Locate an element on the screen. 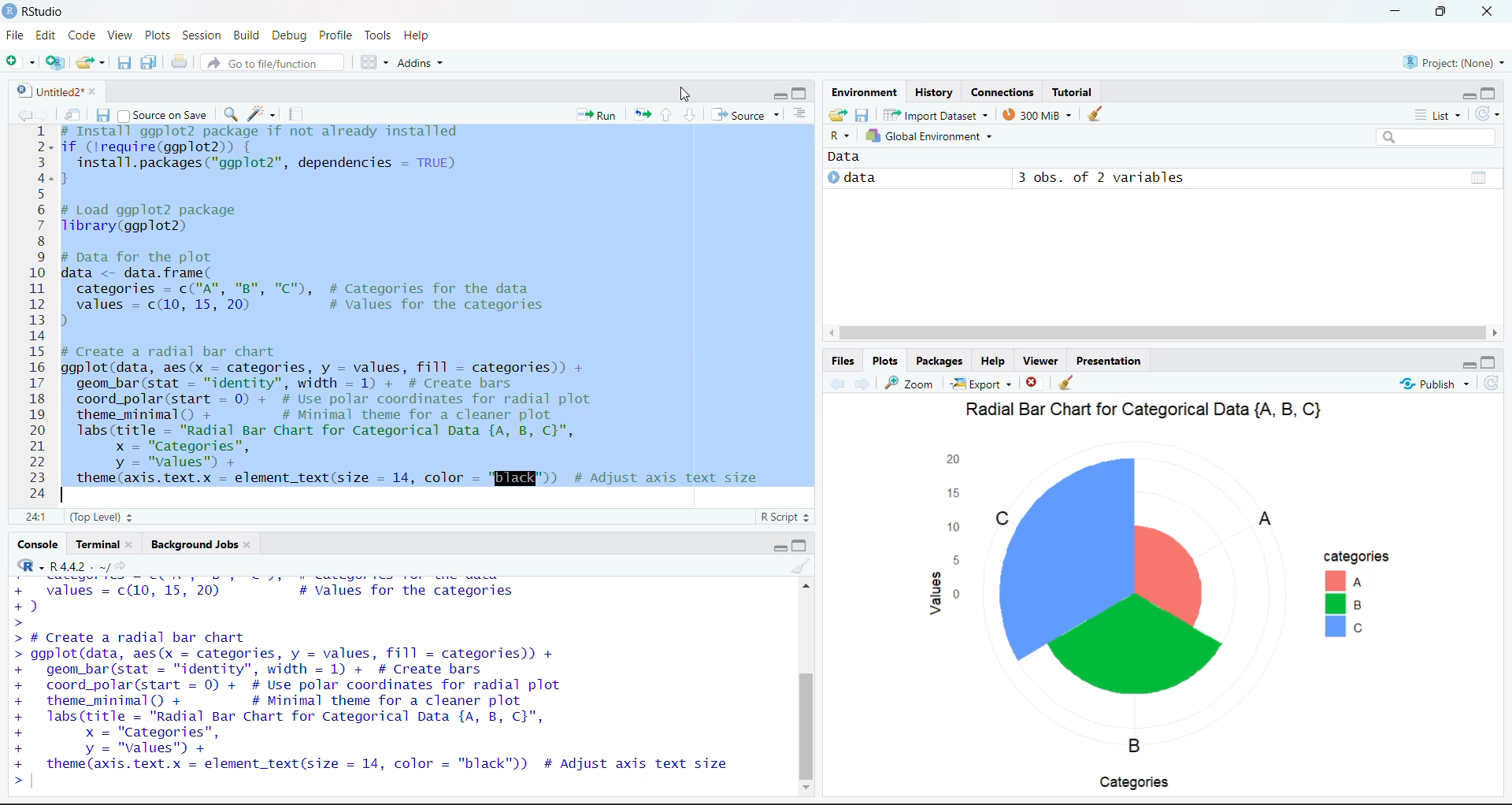 The height and width of the screenshot is (805, 1512). code tools is located at coordinates (261, 114).